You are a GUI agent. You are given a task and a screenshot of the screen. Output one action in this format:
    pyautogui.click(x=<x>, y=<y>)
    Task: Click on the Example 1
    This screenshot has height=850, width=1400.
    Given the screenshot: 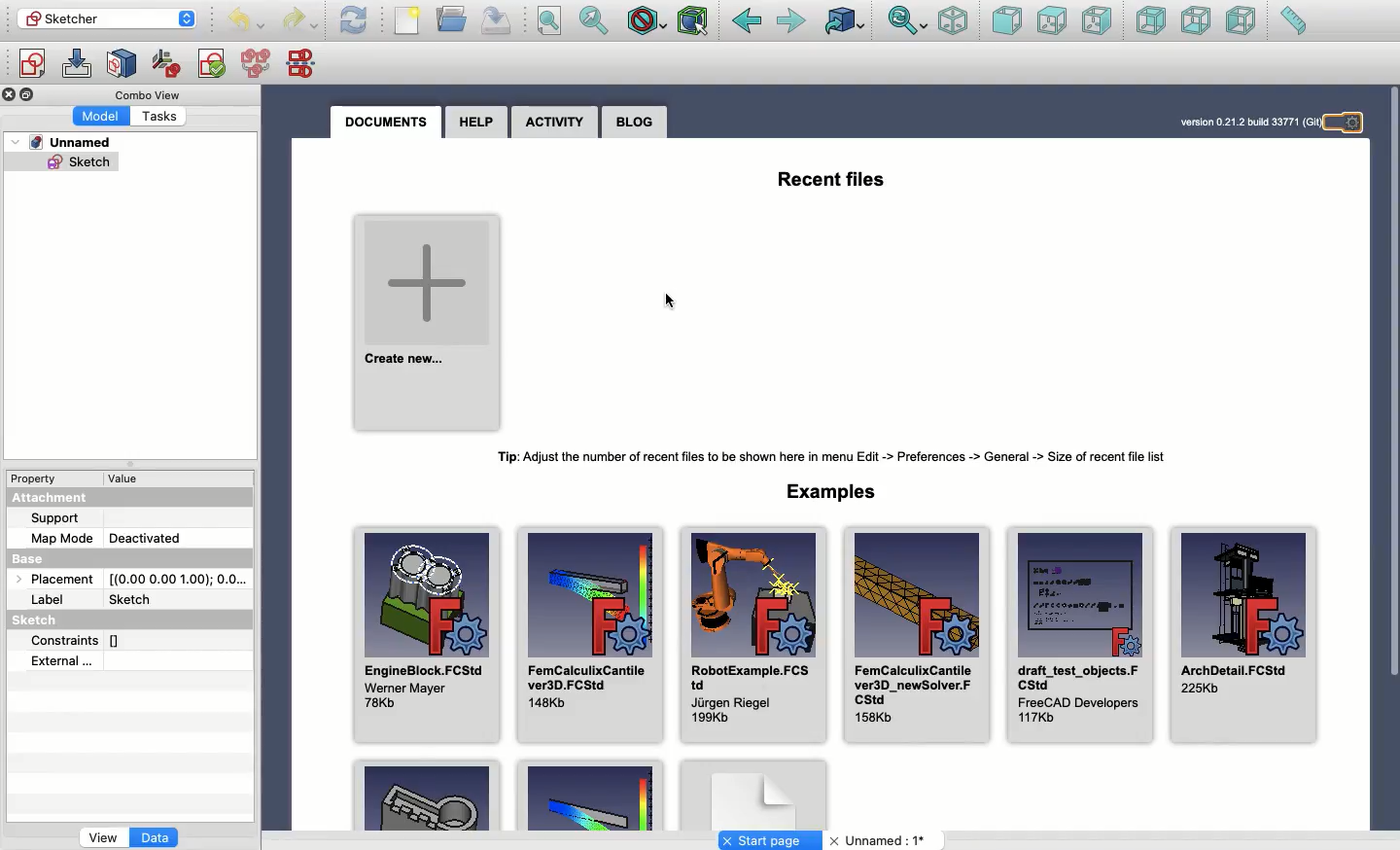 What is the action you would take?
    pyautogui.click(x=431, y=797)
    